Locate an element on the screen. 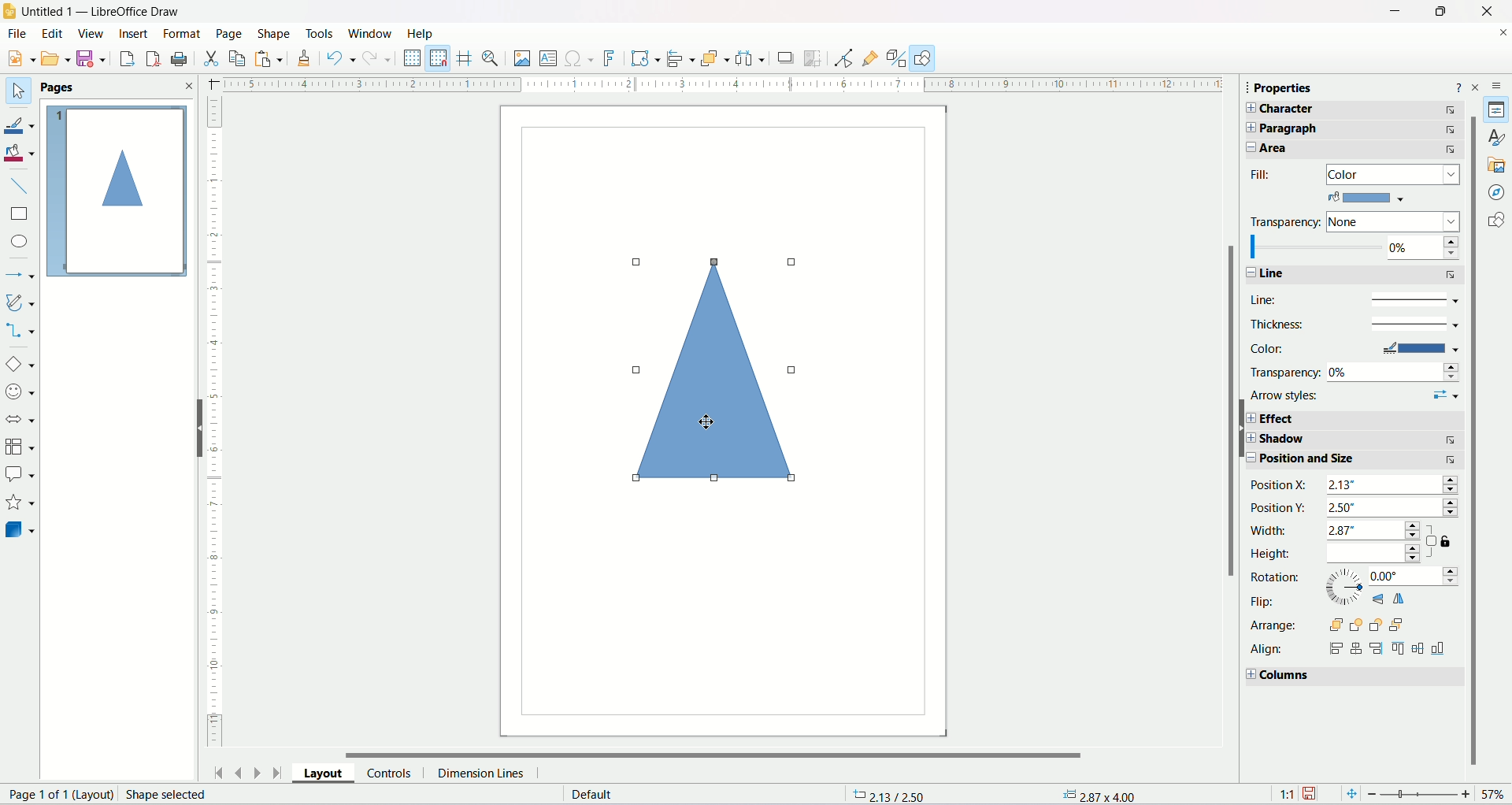 The image size is (1512, 805). Symbol Shapes is located at coordinates (22, 392).